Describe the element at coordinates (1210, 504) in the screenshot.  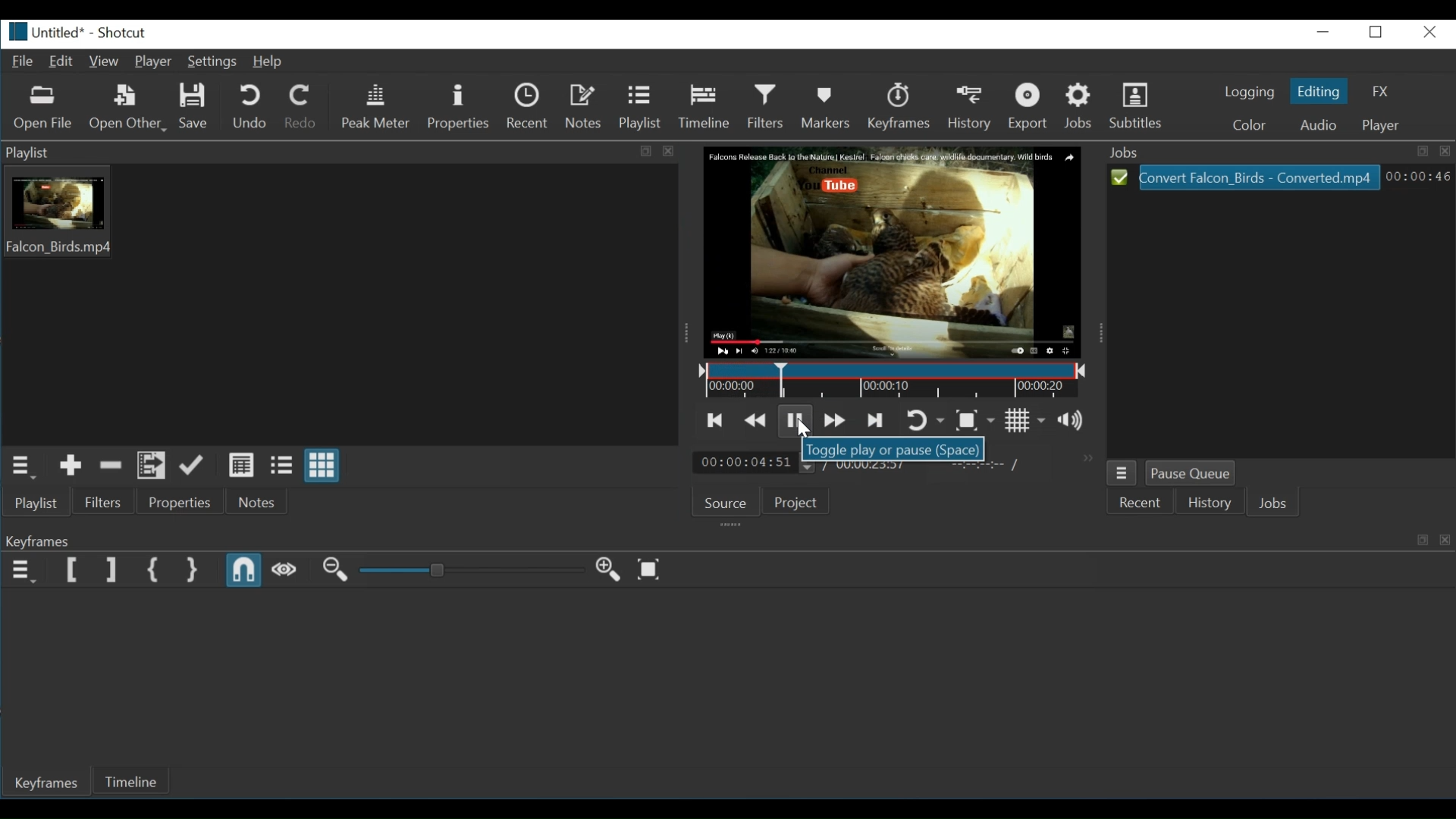
I see `History` at that location.